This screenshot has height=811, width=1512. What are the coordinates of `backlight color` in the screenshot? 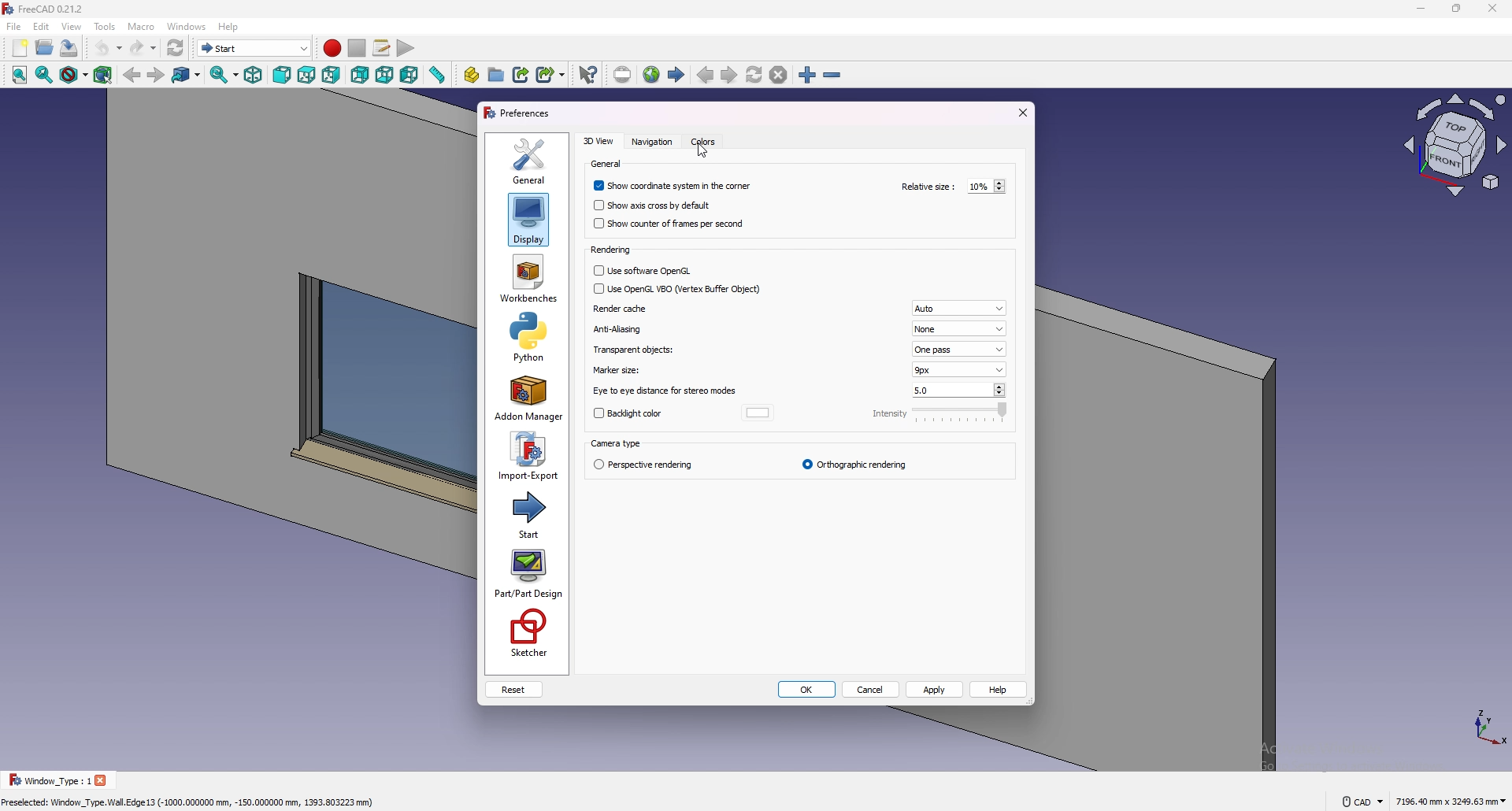 It's located at (758, 413).